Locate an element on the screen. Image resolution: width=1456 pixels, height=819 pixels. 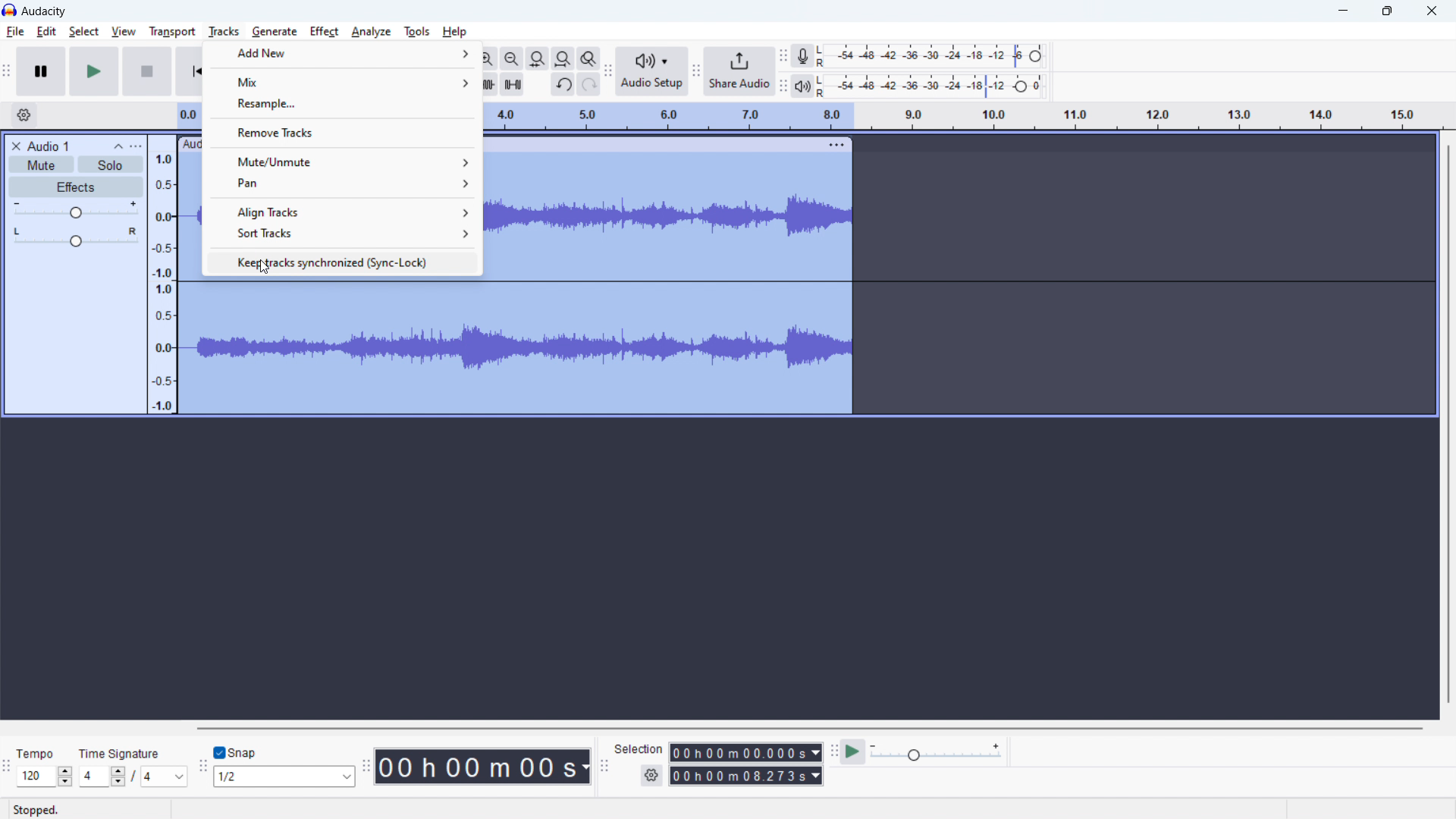
close is located at coordinates (1433, 11).